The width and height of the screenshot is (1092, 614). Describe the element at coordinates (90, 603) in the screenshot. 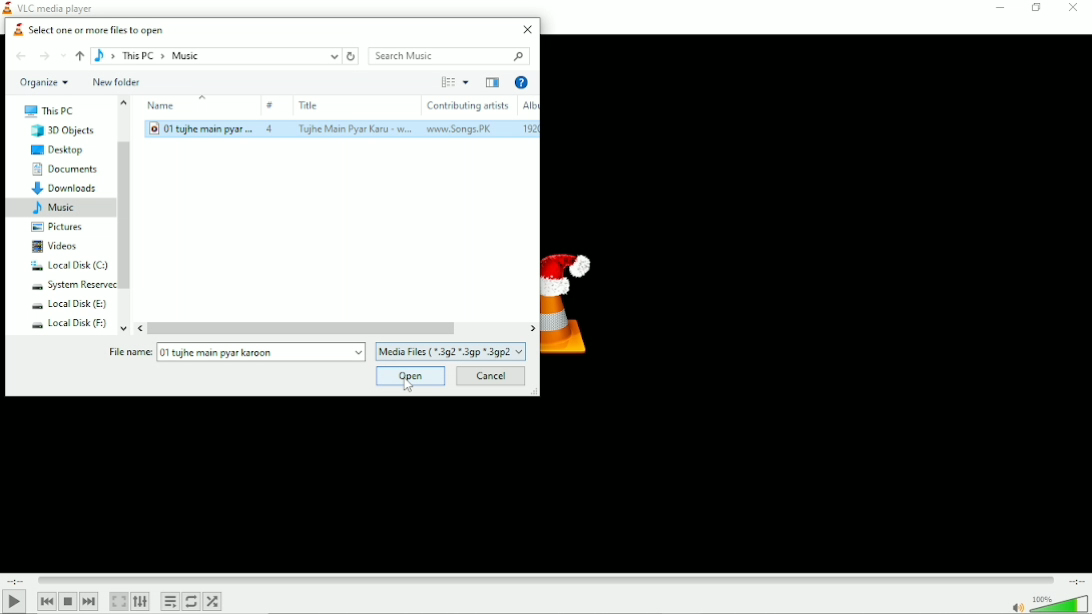

I see `Next` at that location.